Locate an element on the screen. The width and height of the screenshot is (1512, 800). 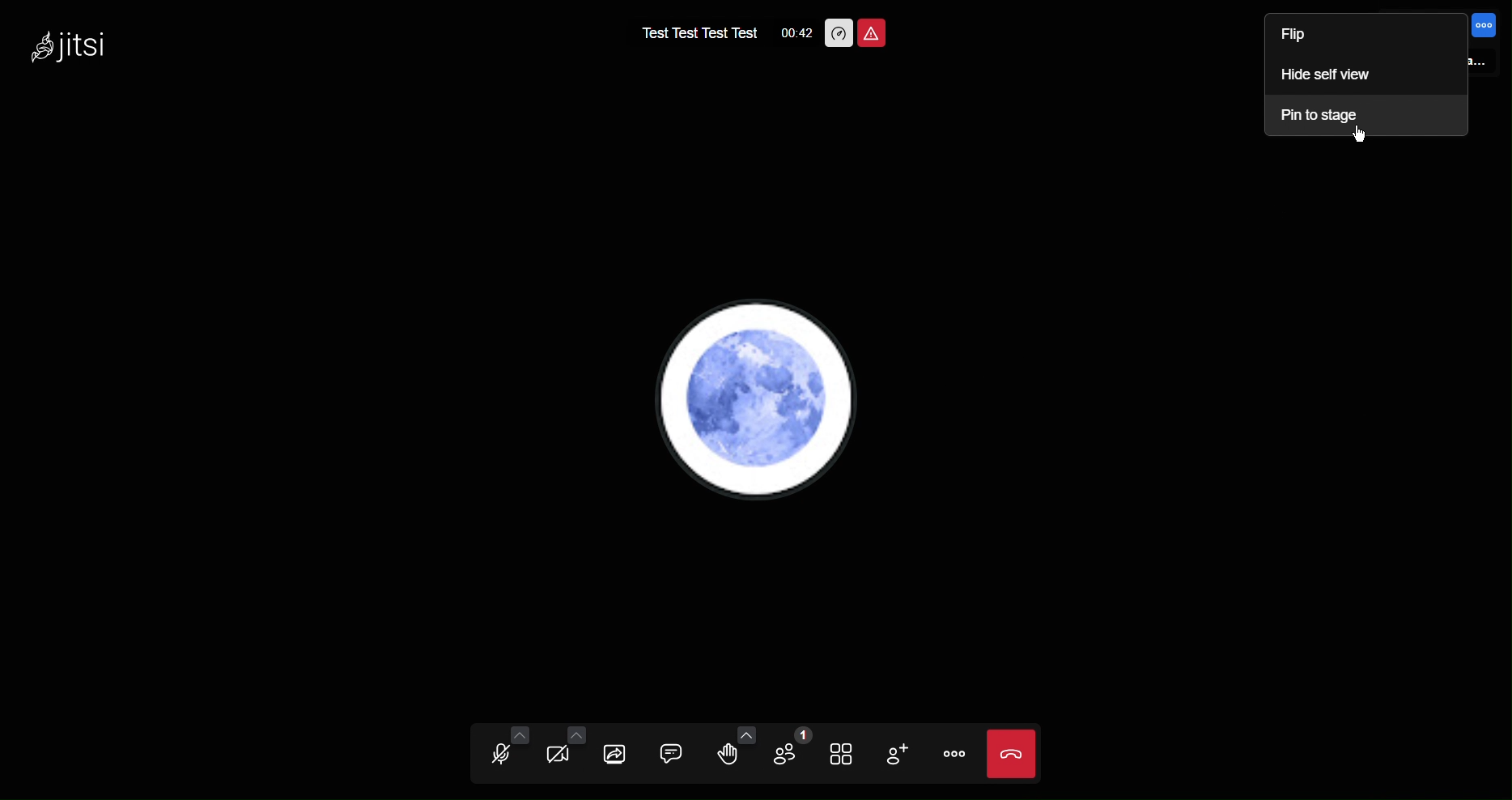
Chat is located at coordinates (668, 755).